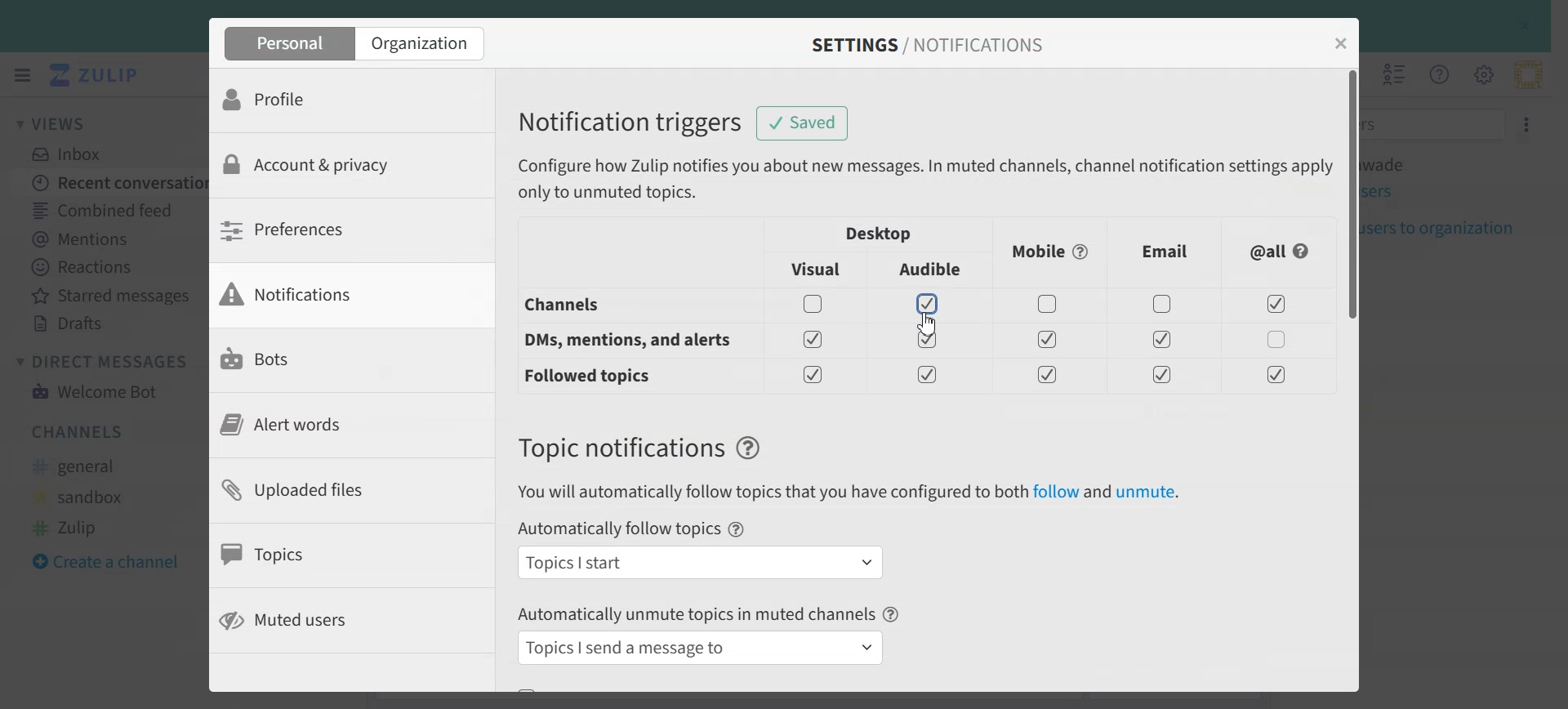 The height and width of the screenshot is (709, 1568). I want to click on Followed topis, so click(591, 377).